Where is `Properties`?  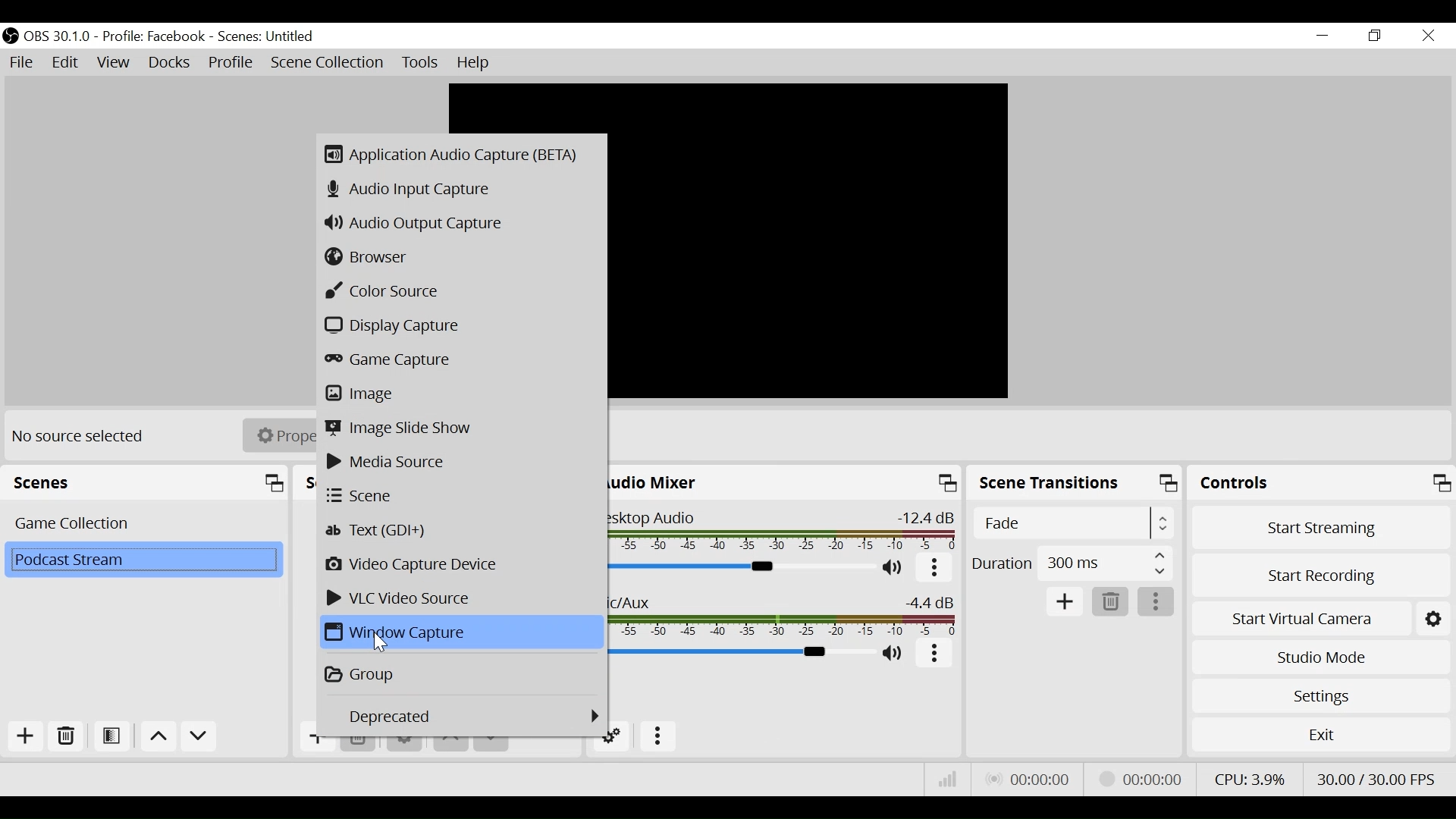 Properties is located at coordinates (281, 436).